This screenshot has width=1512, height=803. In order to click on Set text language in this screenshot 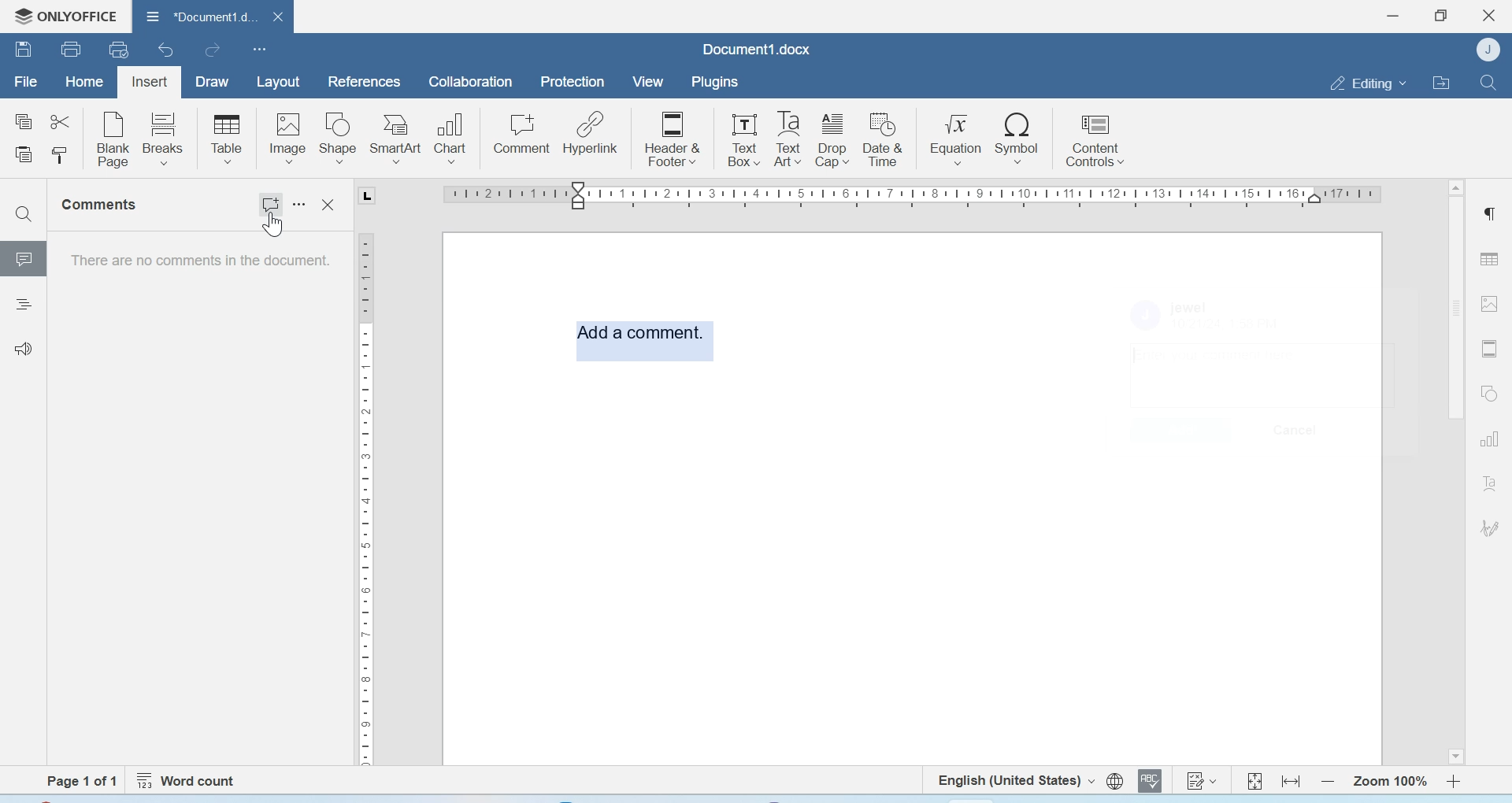, I will do `click(1014, 779)`.